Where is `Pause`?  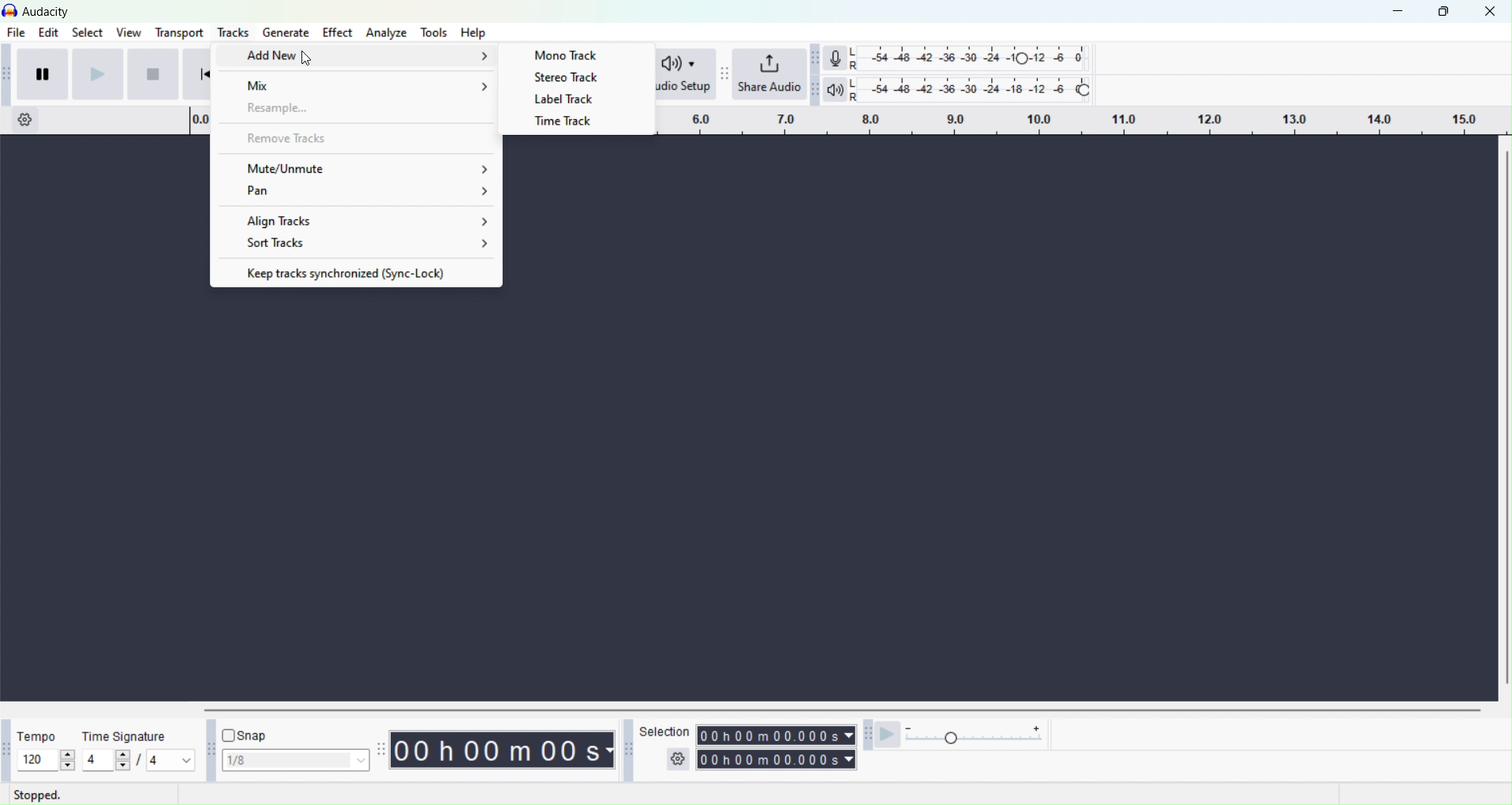
Pause is located at coordinates (46, 73).